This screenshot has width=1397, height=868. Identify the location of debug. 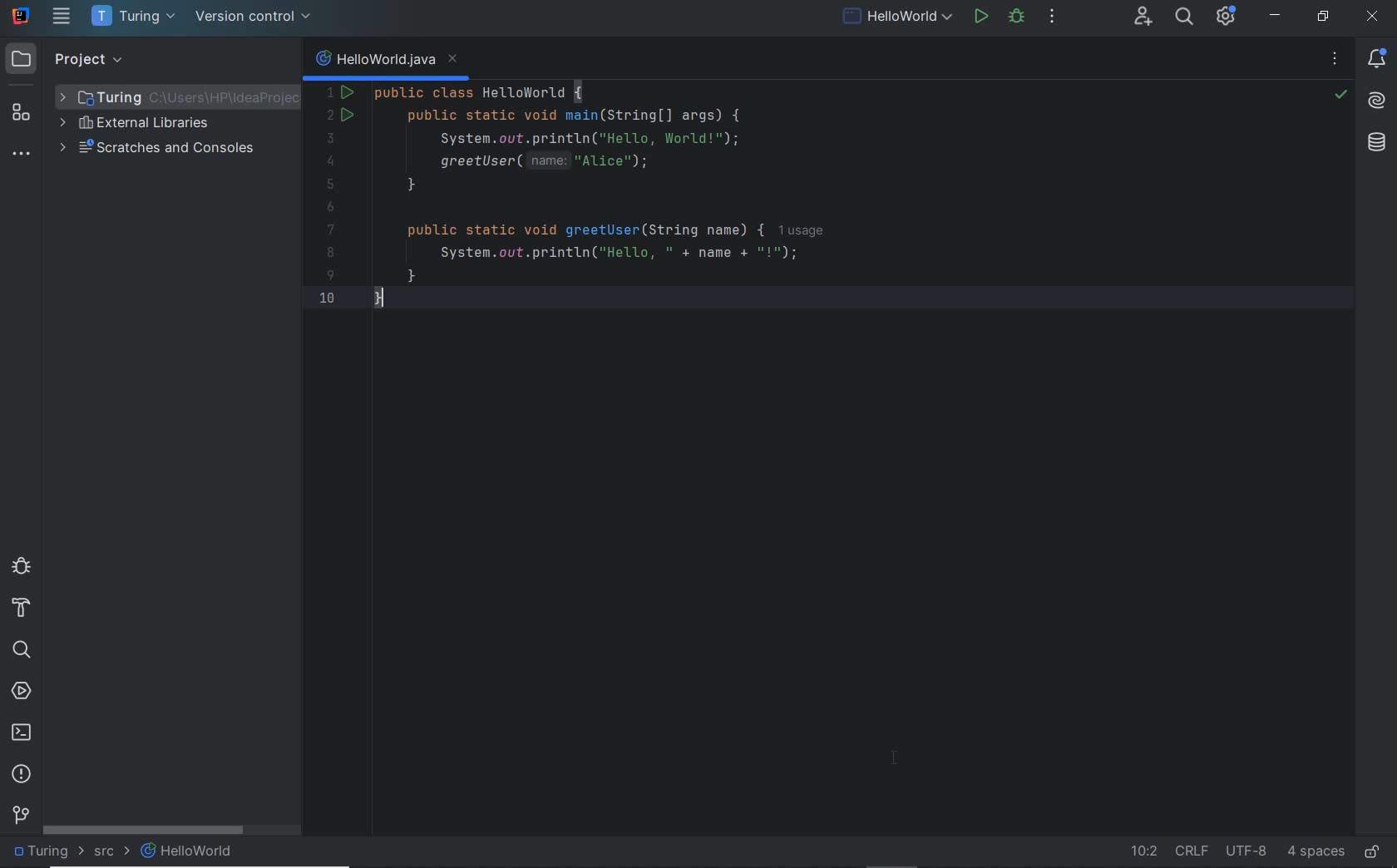
(21, 565).